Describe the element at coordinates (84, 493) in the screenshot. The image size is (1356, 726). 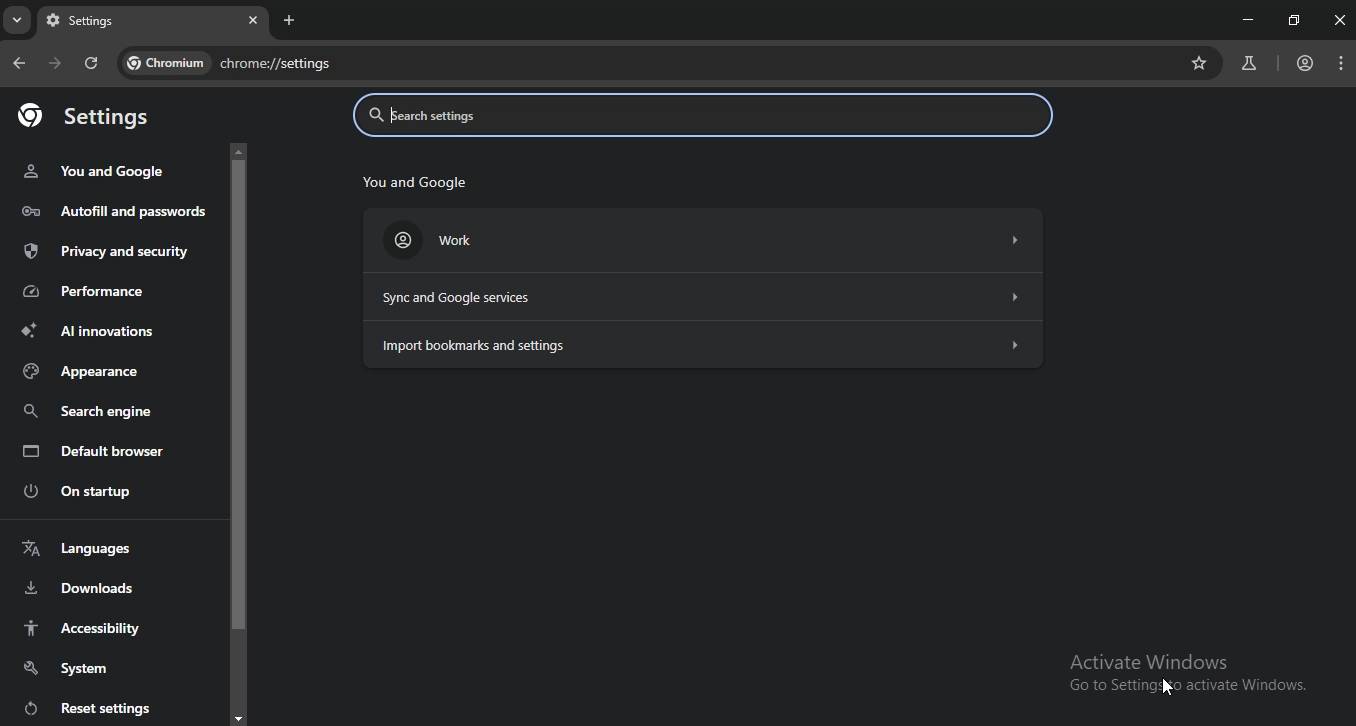
I see `On startup` at that location.